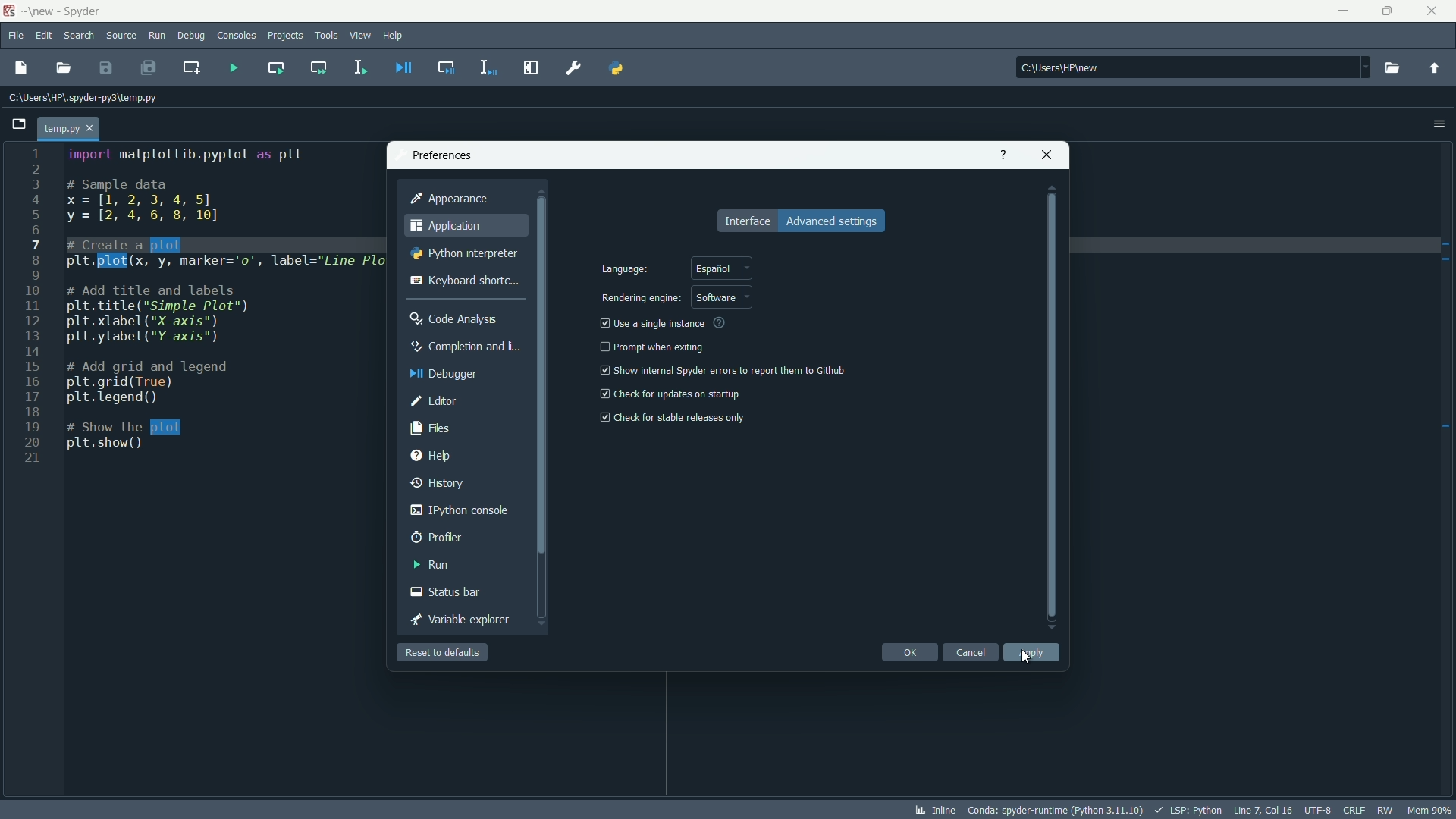 The width and height of the screenshot is (1456, 819). I want to click on app icon, so click(11, 13).